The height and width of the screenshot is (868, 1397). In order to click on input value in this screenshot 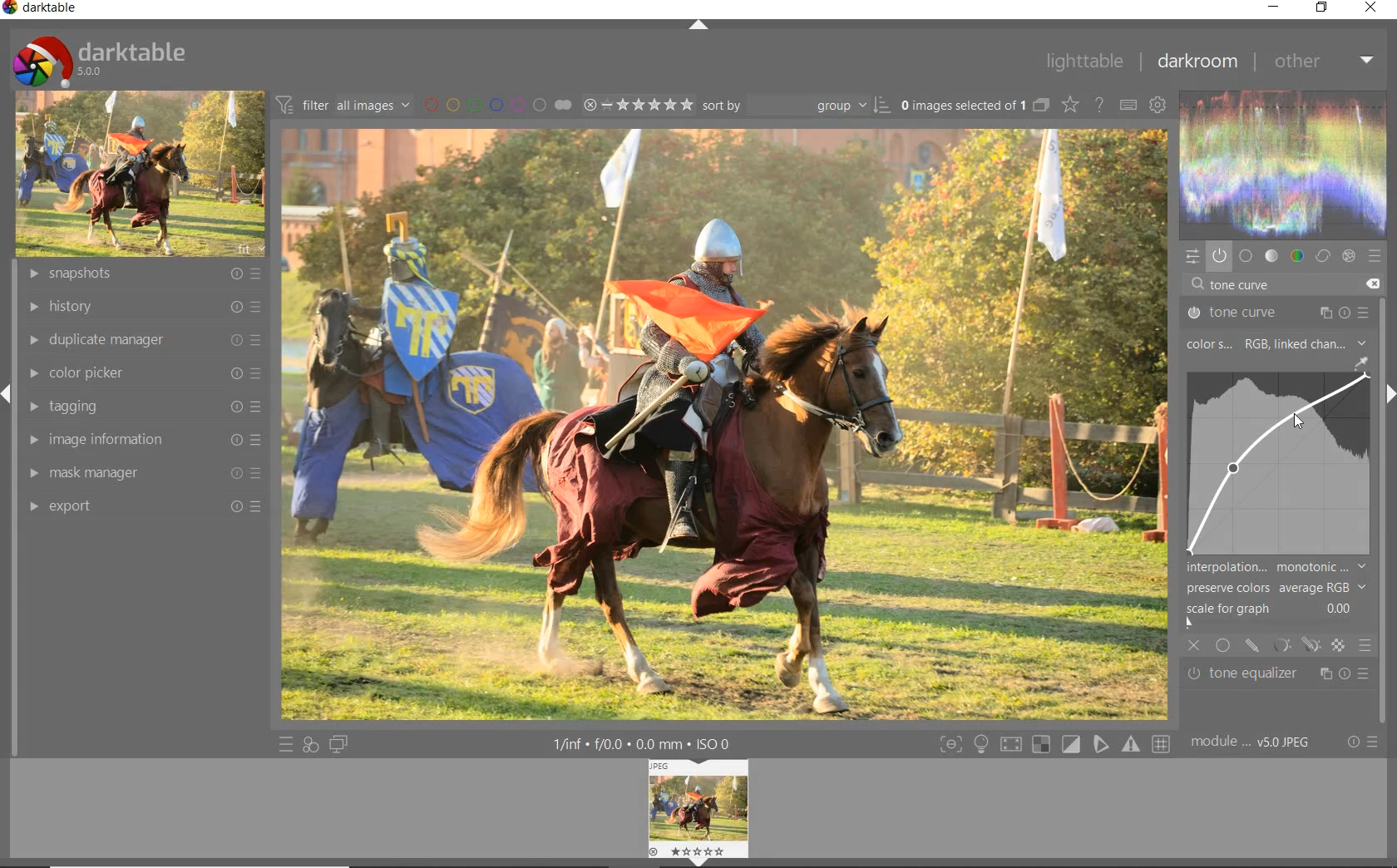, I will do `click(1243, 286)`.